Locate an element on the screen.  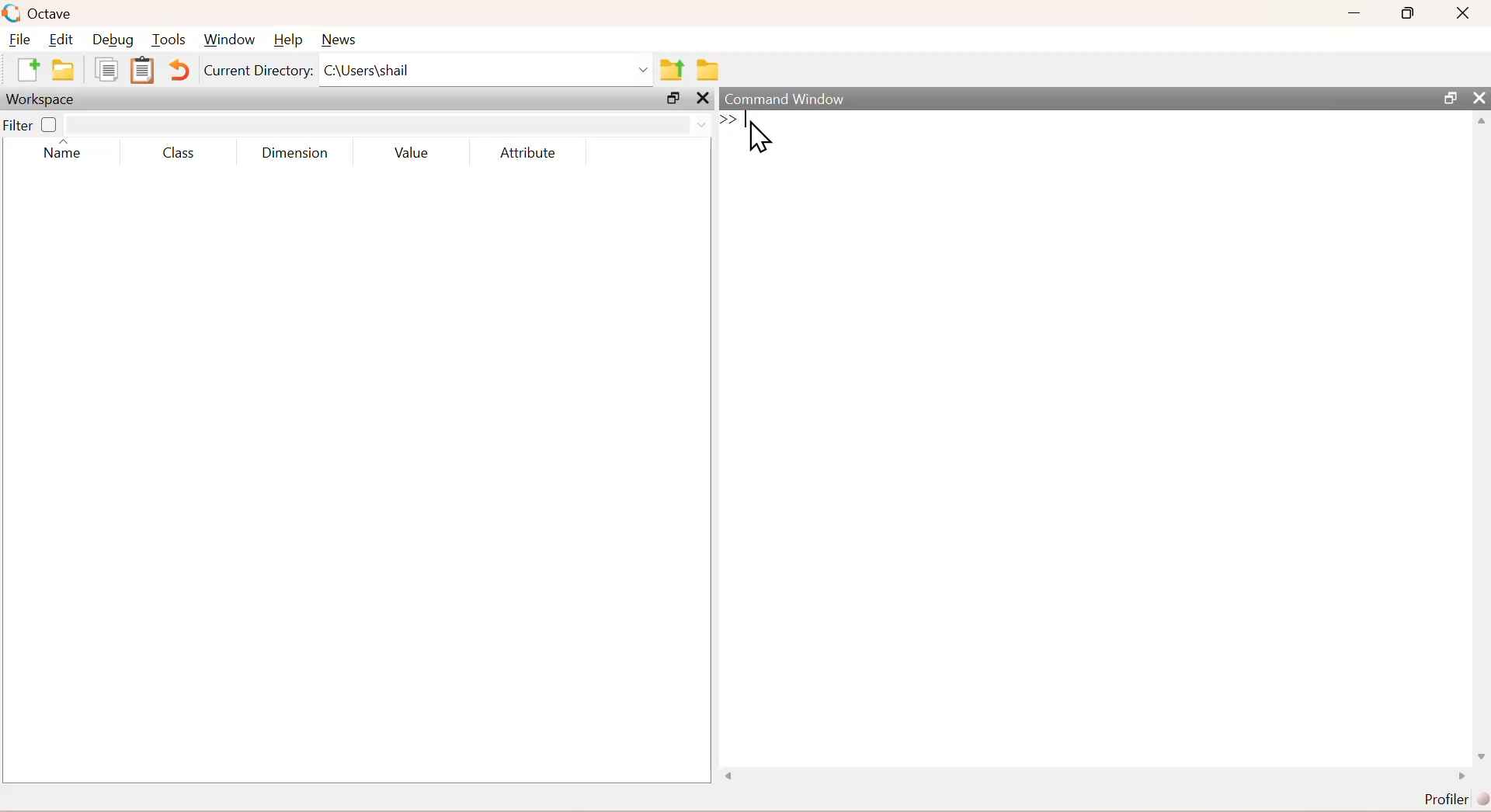
Help is located at coordinates (290, 36).